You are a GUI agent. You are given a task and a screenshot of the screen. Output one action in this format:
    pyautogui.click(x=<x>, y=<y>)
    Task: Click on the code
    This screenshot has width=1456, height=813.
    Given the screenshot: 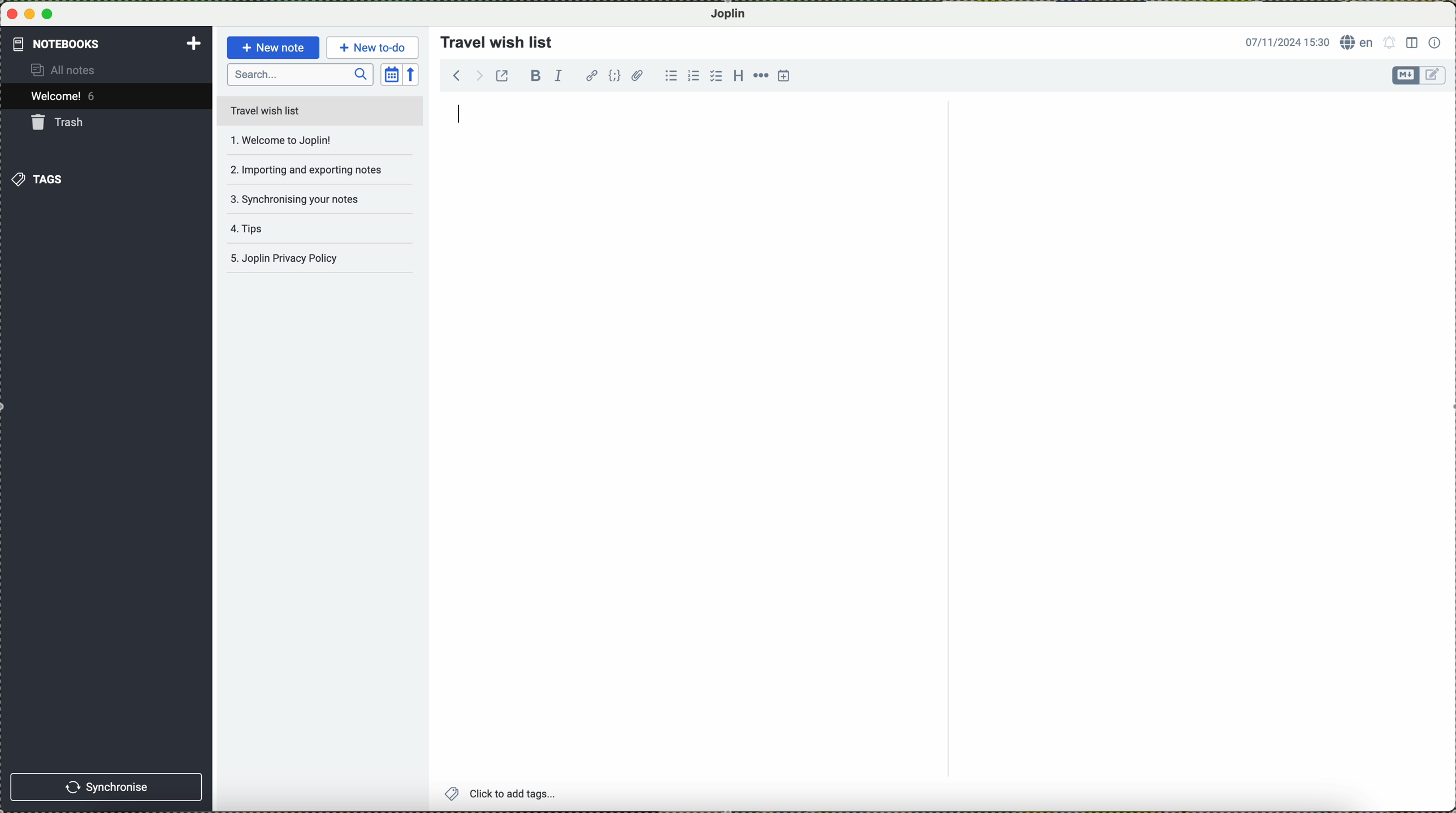 What is the action you would take?
    pyautogui.click(x=616, y=76)
    